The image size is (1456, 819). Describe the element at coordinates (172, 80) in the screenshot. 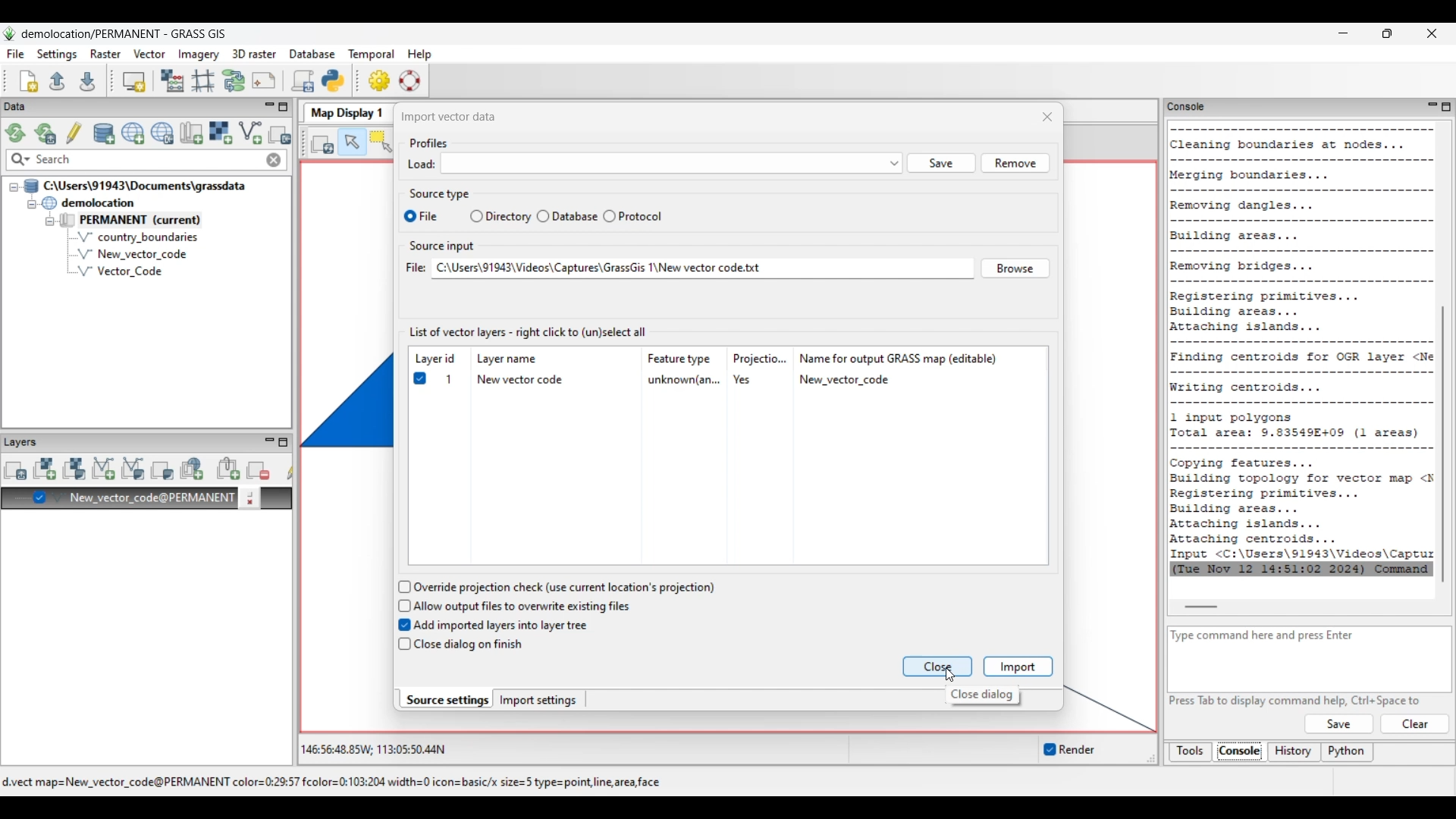

I see `Raster map calculator` at that location.